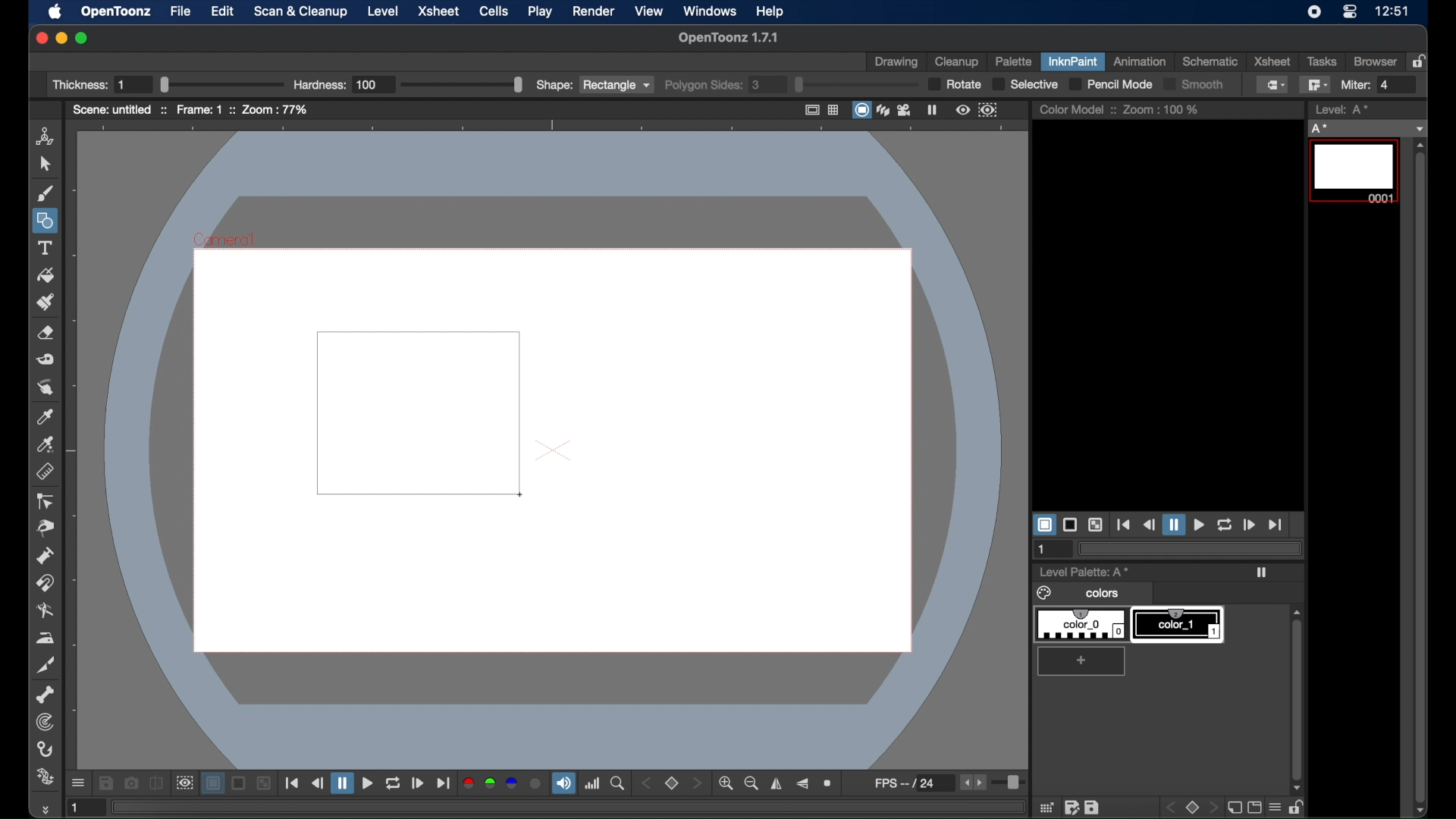 Image resolution: width=1456 pixels, height=819 pixels. What do you see at coordinates (1315, 84) in the screenshot?
I see `polyline fill tool` at bounding box center [1315, 84].